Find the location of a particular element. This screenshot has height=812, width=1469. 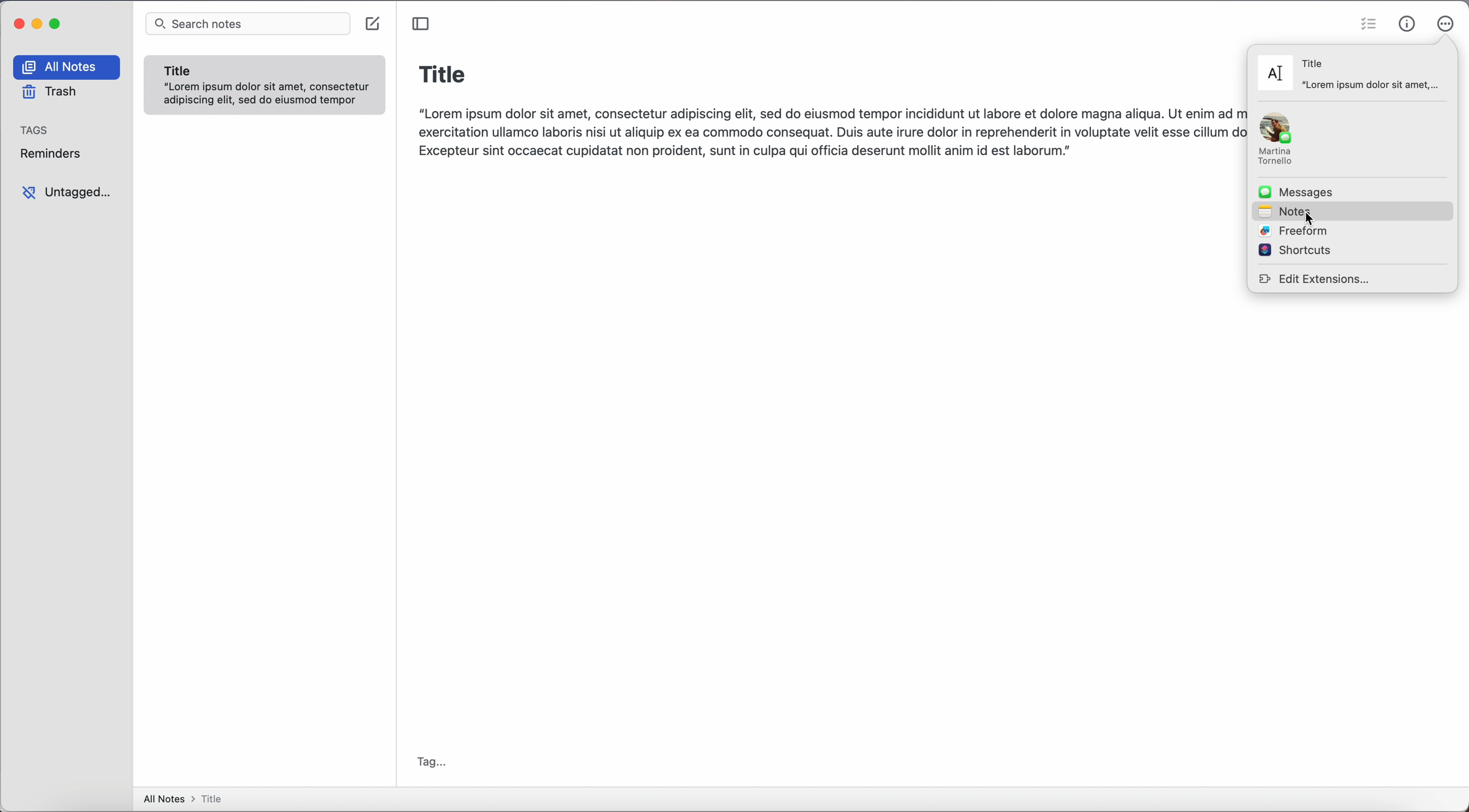

minimize app is located at coordinates (38, 24).